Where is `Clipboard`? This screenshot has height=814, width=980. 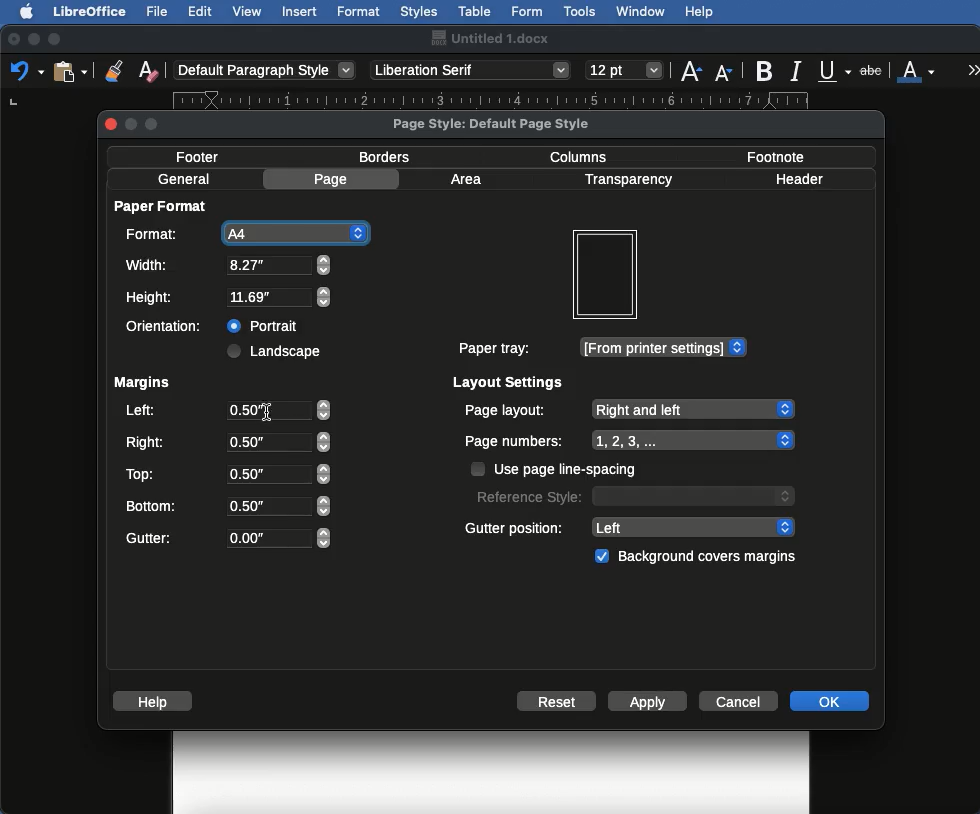 Clipboard is located at coordinates (70, 70).